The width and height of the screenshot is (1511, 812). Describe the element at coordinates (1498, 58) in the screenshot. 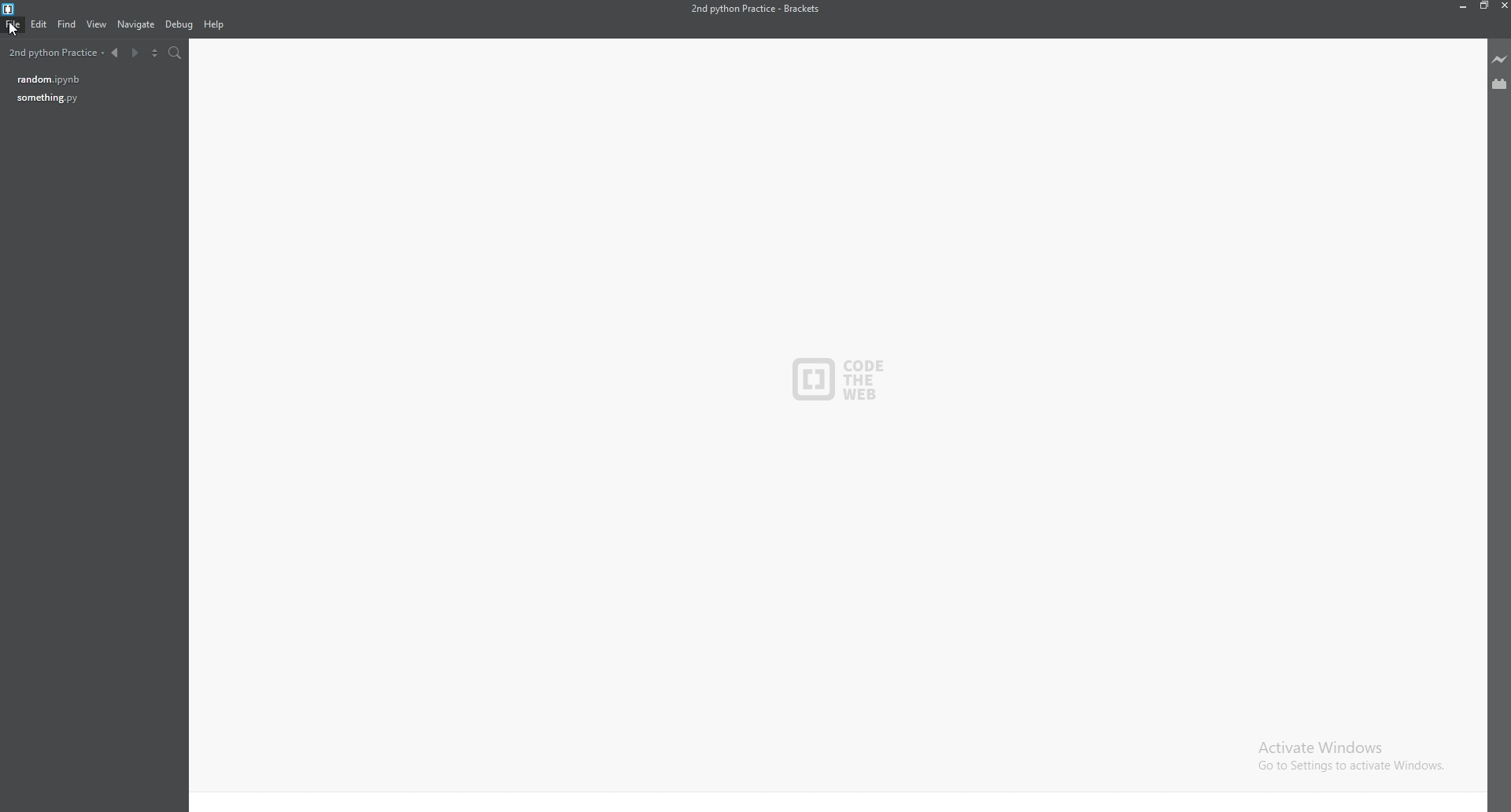

I see `live preview` at that location.